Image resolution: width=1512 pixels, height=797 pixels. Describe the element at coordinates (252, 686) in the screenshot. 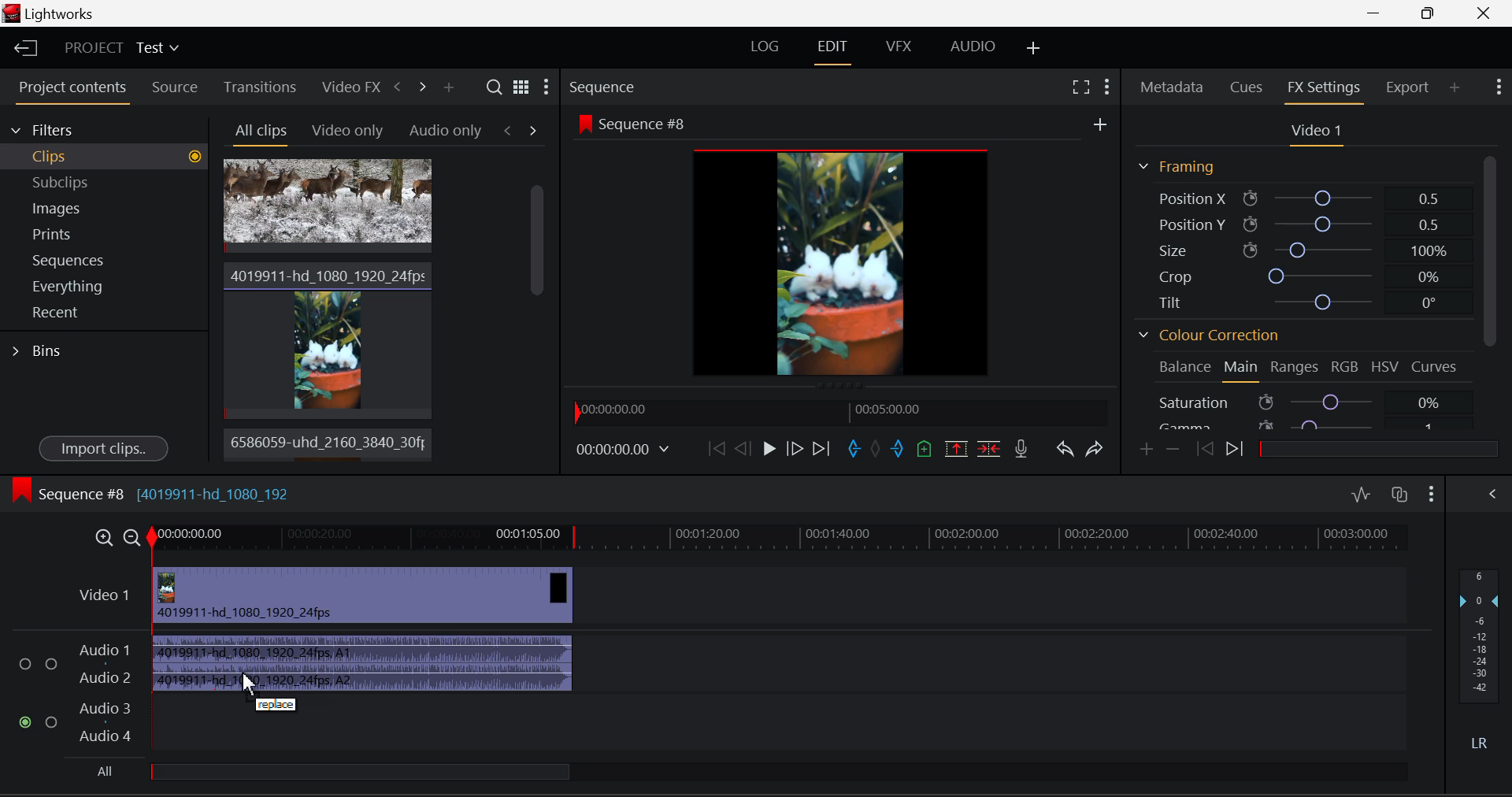

I see `cursor` at that location.